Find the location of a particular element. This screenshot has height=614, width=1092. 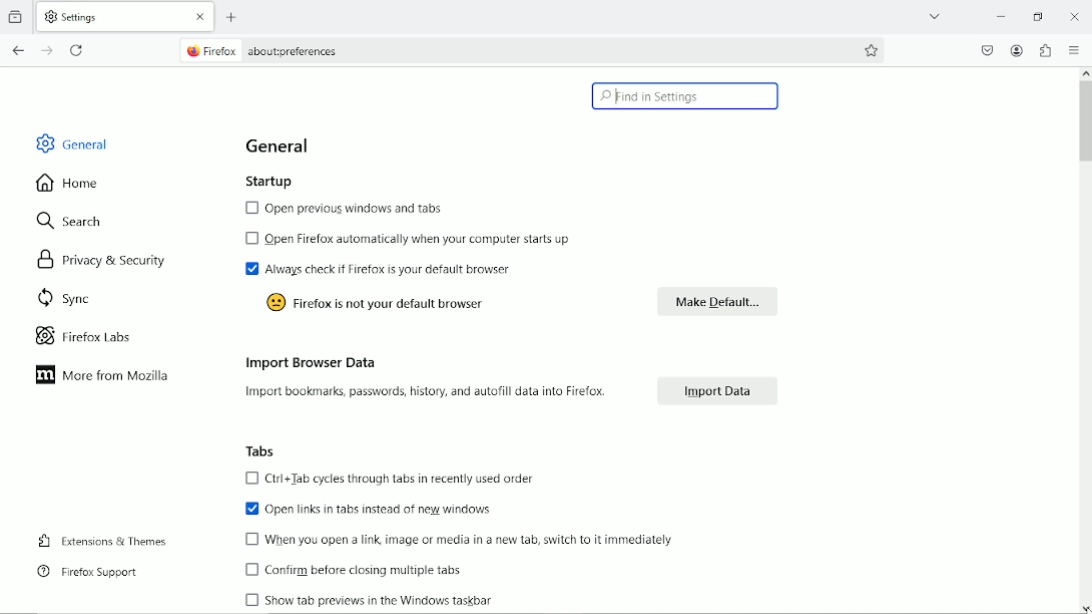

search is located at coordinates (72, 219).